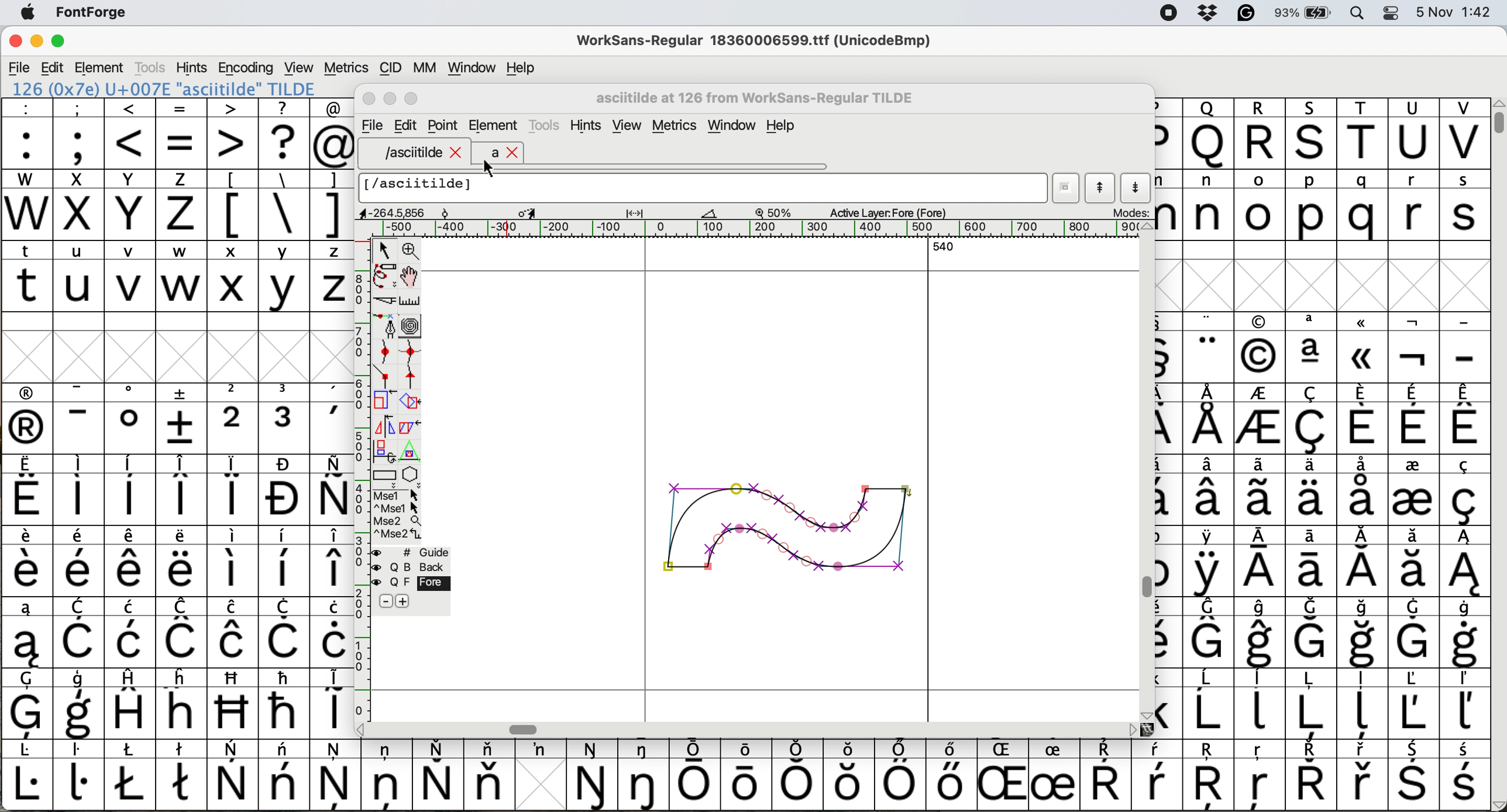 This screenshot has width=1507, height=812. What do you see at coordinates (413, 429) in the screenshot?
I see `skew selection` at bounding box center [413, 429].